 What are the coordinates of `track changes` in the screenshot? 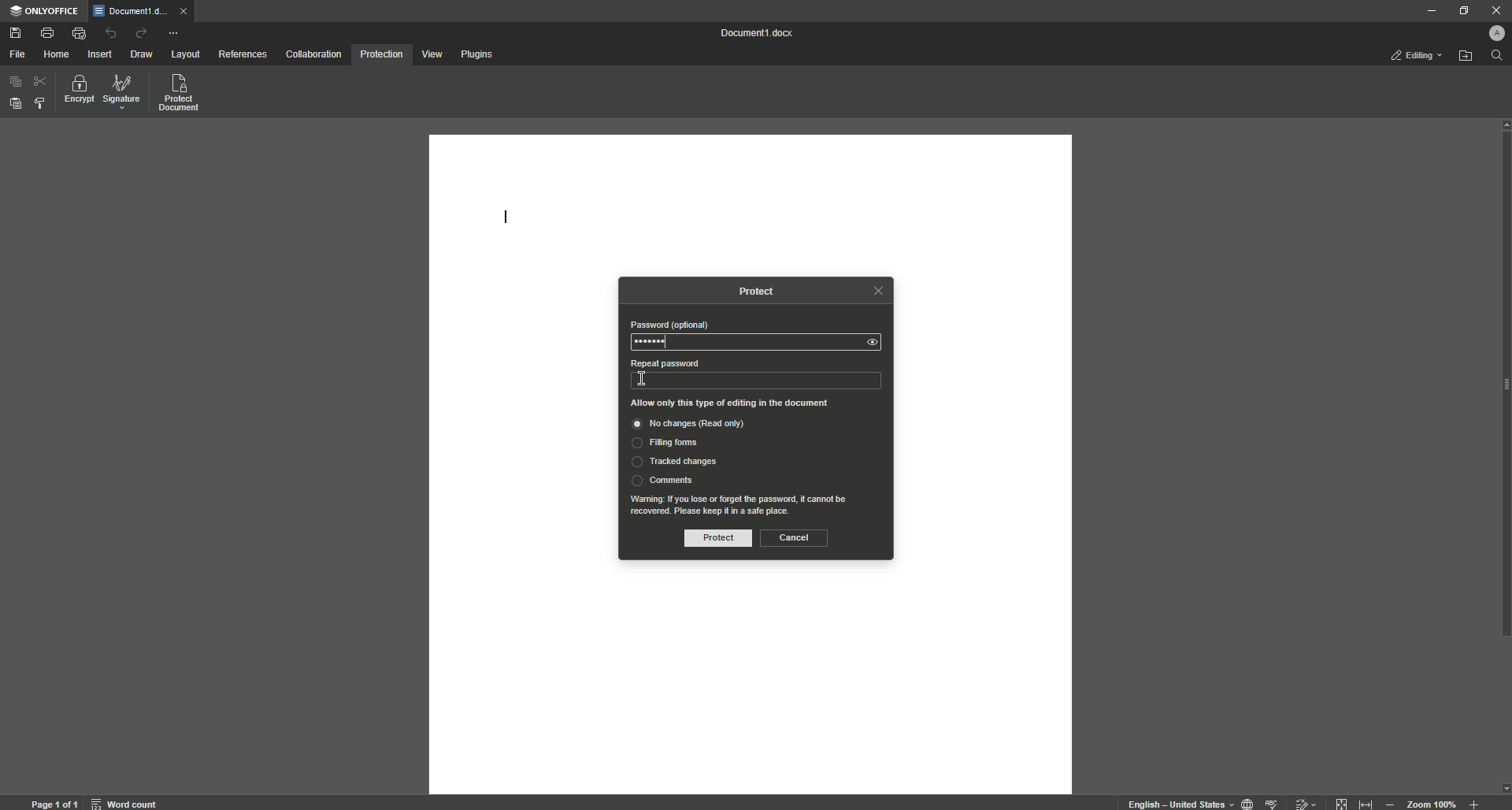 It's located at (1303, 801).